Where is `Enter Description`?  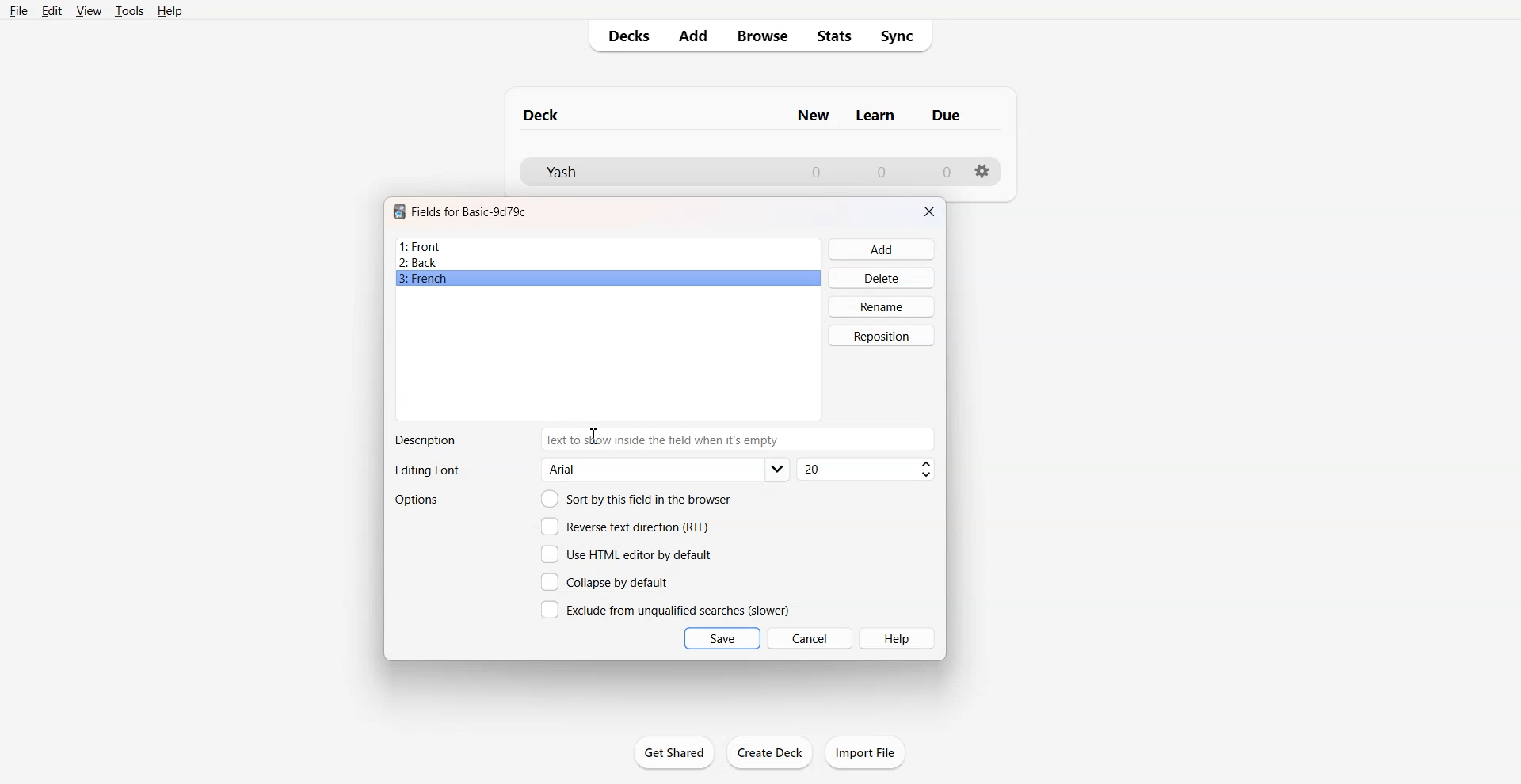 Enter Description is located at coordinates (739, 440).